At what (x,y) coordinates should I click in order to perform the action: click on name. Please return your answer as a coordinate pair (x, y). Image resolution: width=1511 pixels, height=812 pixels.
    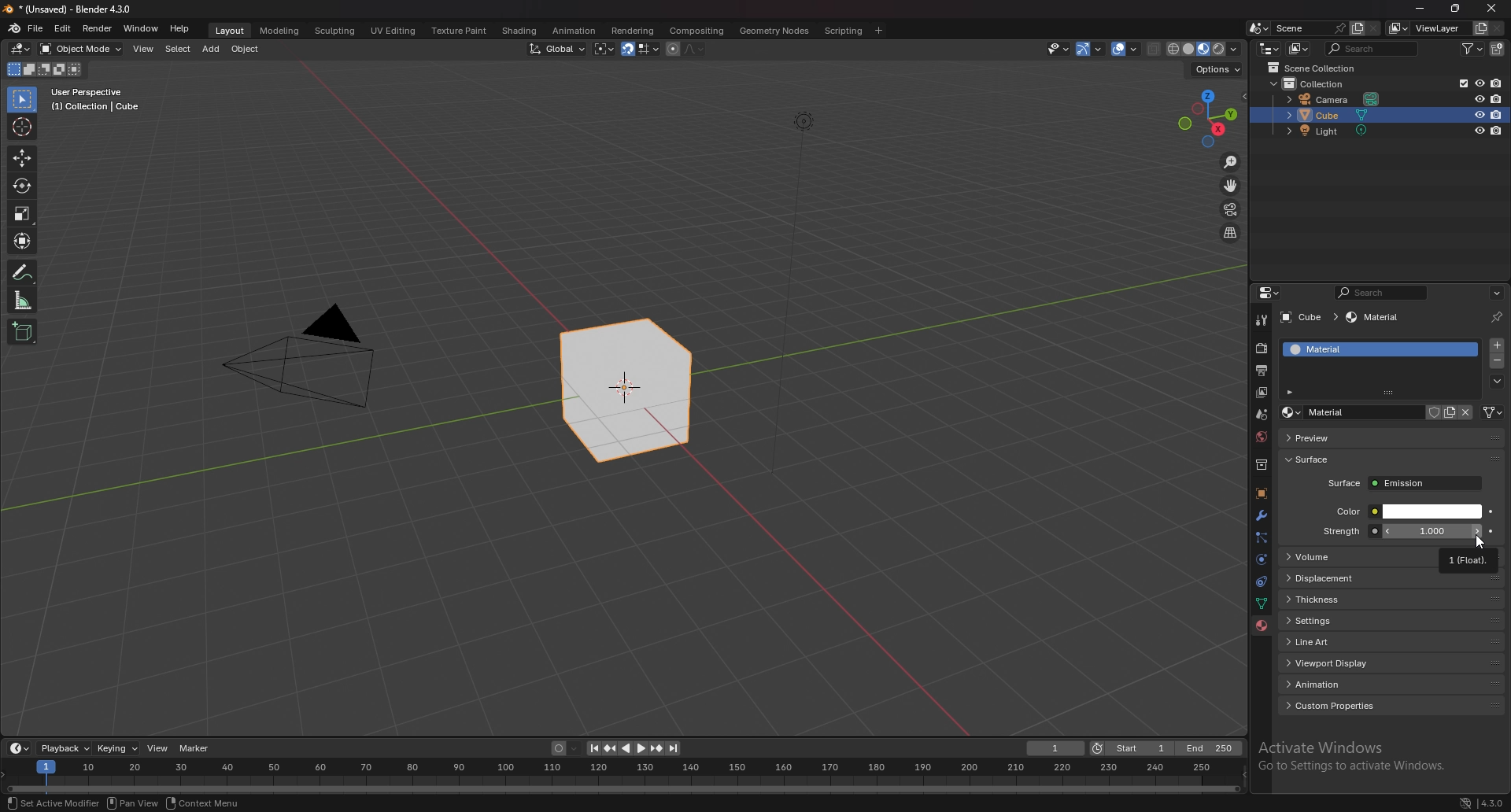
    Looking at the image, I should click on (1350, 413).